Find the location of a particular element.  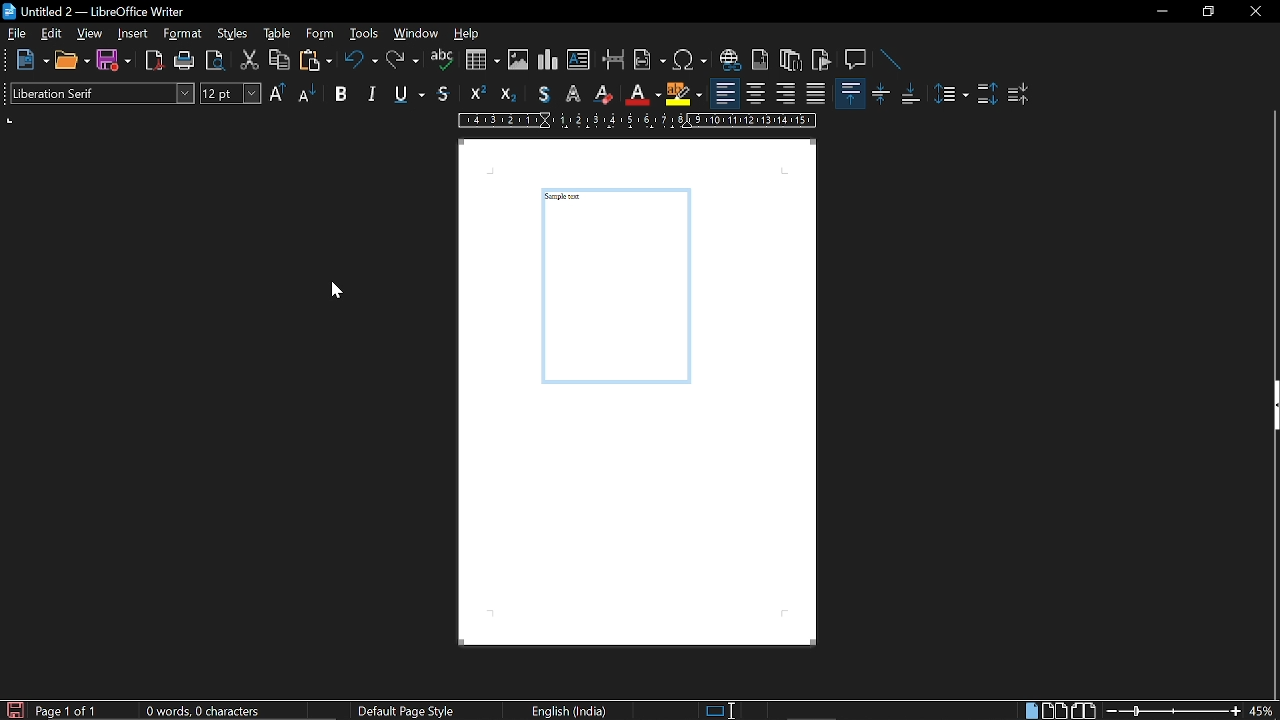

current zoom is located at coordinates (1262, 711).